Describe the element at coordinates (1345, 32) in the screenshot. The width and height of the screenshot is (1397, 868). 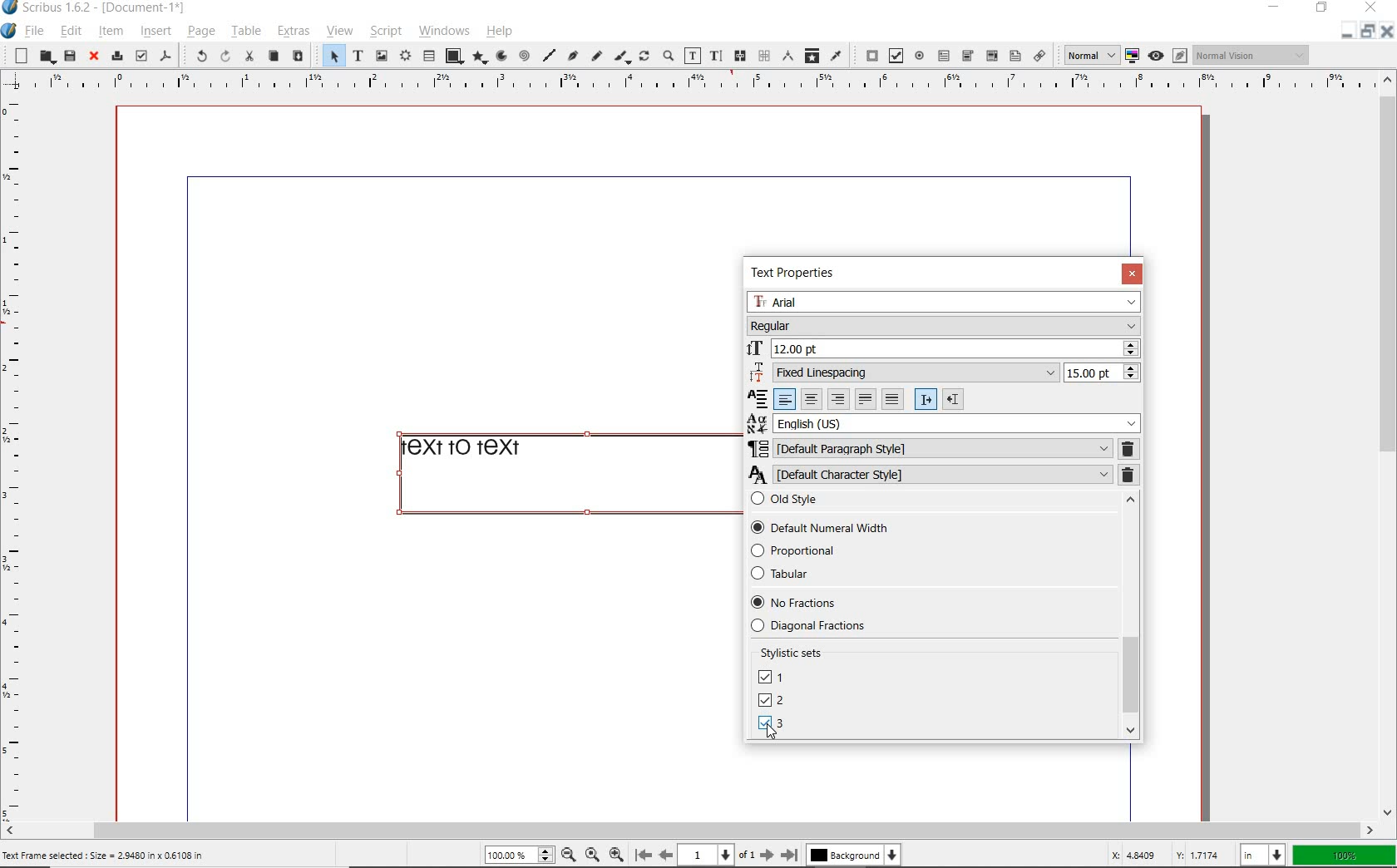
I see `Restore down` at that location.